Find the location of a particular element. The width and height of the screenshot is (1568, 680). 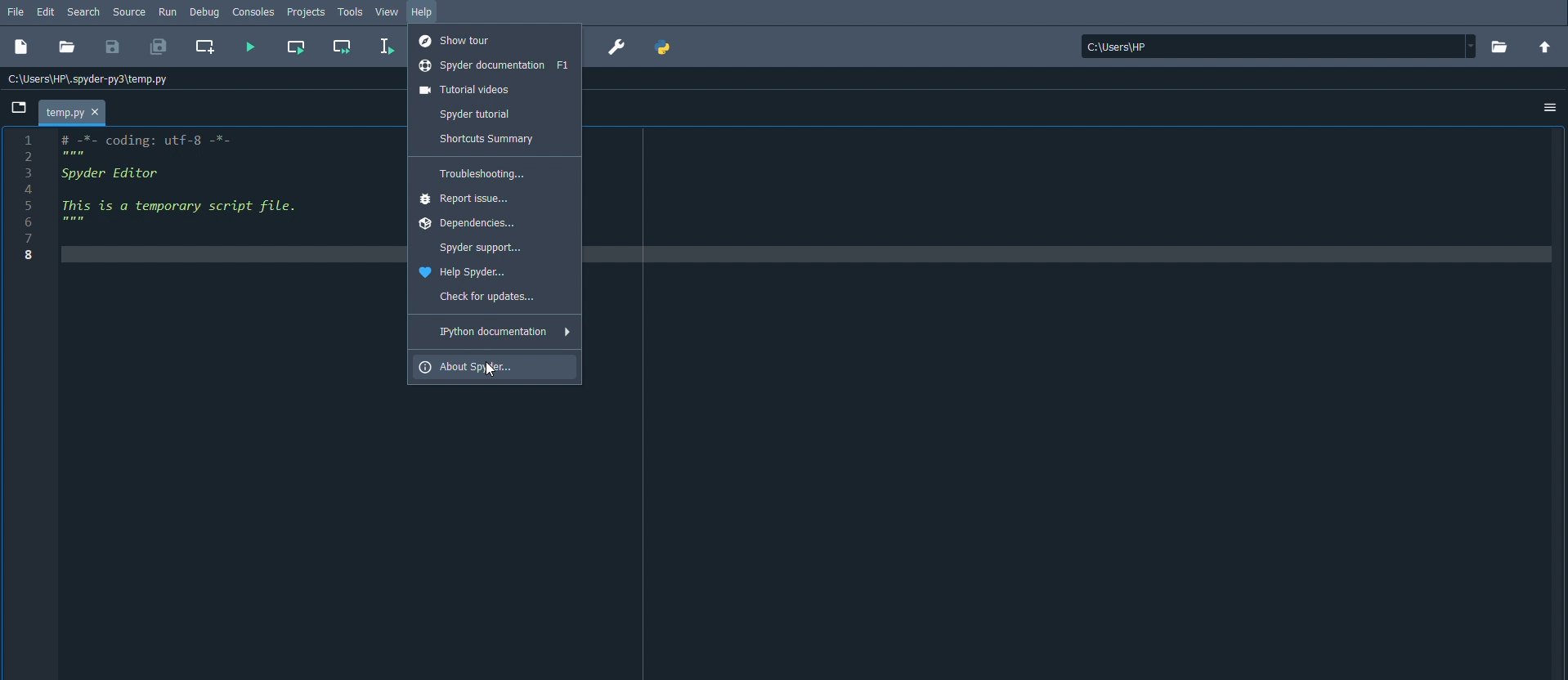

Run current cell and go to the next one is located at coordinates (343, 47).